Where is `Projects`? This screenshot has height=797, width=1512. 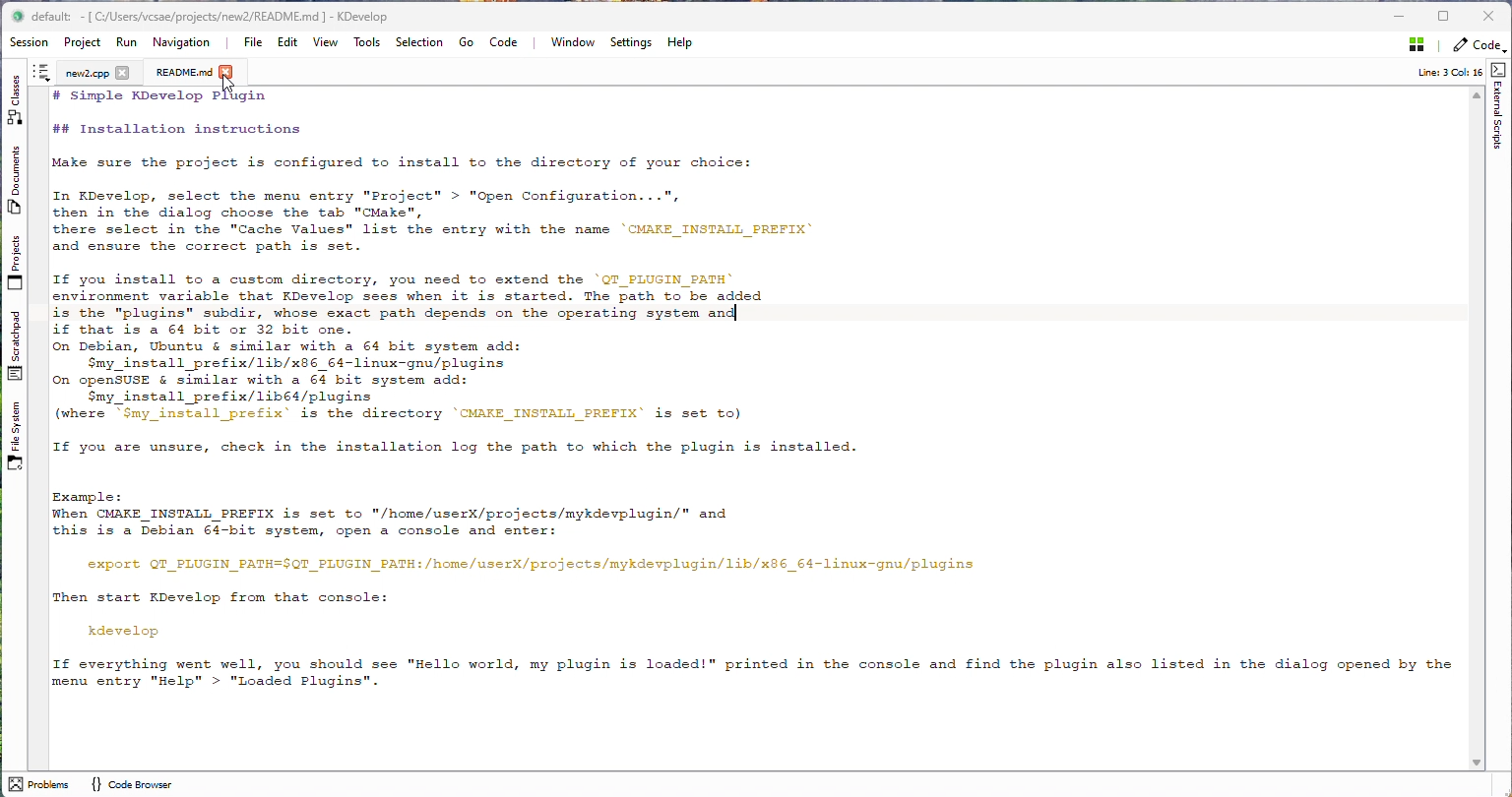 Projects is located at coordinates (16, 262).